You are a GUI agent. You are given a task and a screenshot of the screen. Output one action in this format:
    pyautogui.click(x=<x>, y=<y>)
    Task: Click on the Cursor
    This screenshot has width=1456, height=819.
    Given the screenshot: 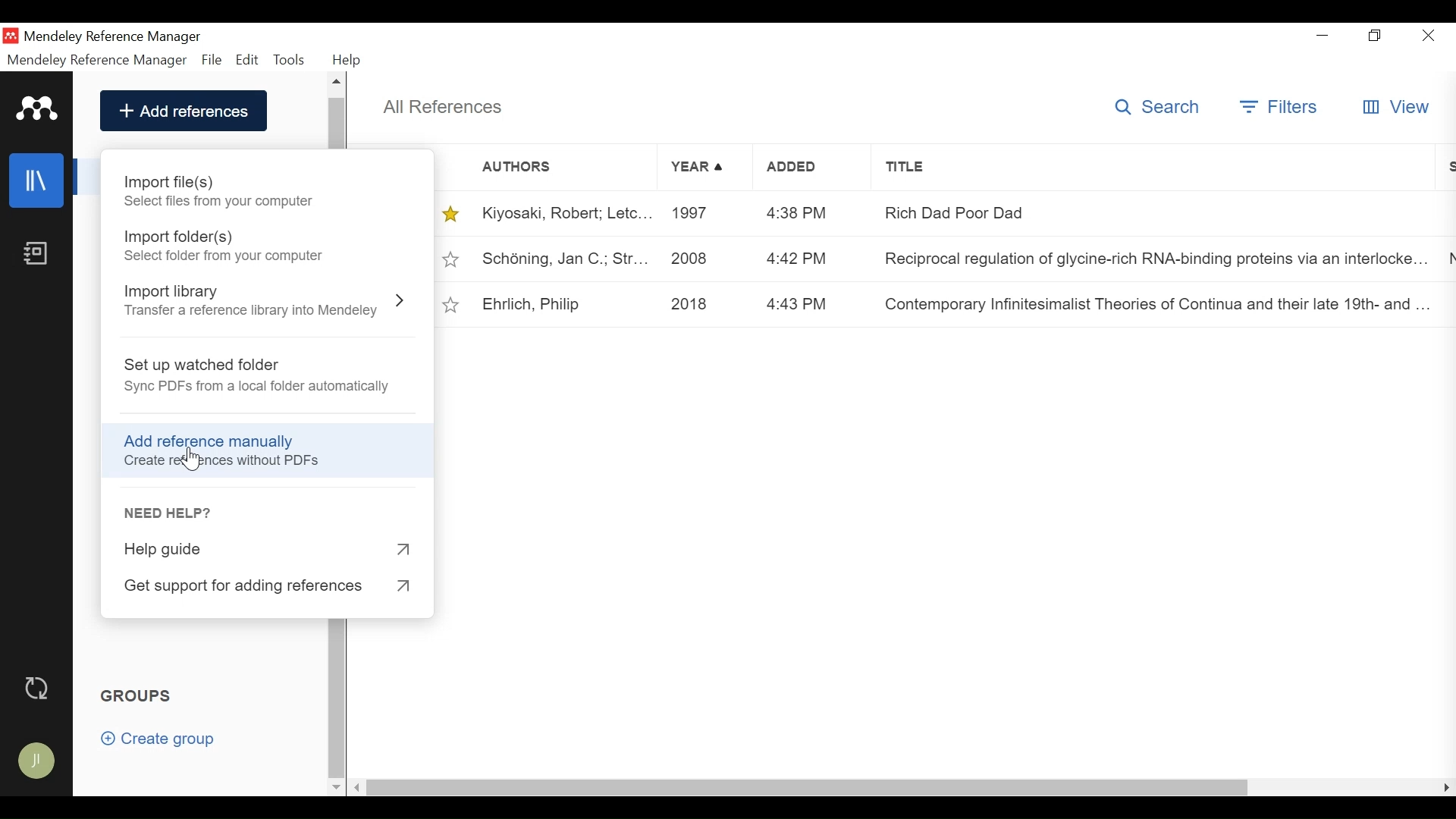 What is the action you would take?
    pyautogui.click(x=196, y=462)
    